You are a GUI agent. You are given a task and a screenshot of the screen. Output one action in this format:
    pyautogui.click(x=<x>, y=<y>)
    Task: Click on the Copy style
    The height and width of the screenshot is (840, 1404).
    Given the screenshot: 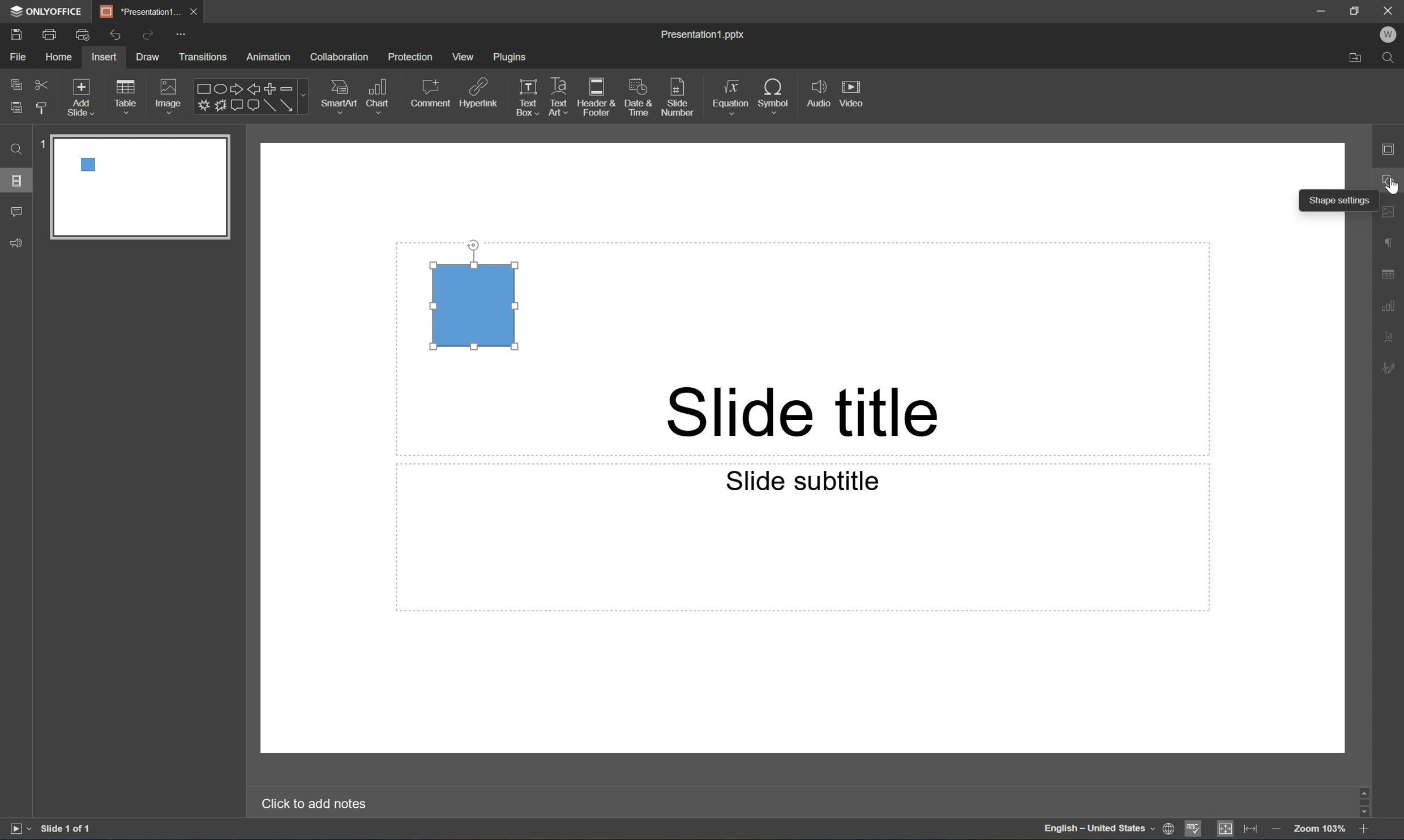 What is the action you would take?
    pyautogui.click(x=43, y=109)
    